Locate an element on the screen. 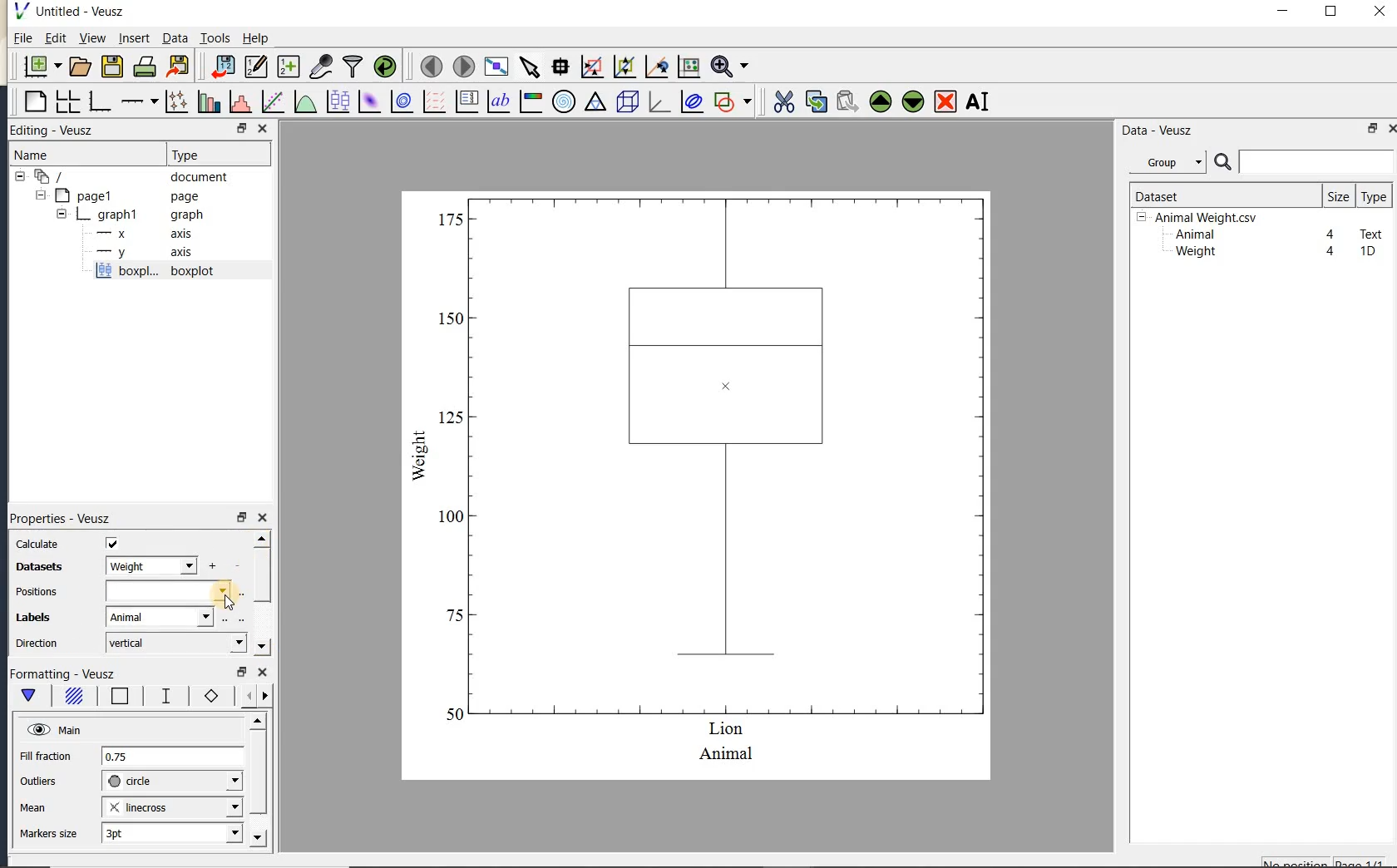 Image resolution: width=1397 pixels, height=868 pixels. click to zoom out of graph axes is located at coordinates (625, 66).